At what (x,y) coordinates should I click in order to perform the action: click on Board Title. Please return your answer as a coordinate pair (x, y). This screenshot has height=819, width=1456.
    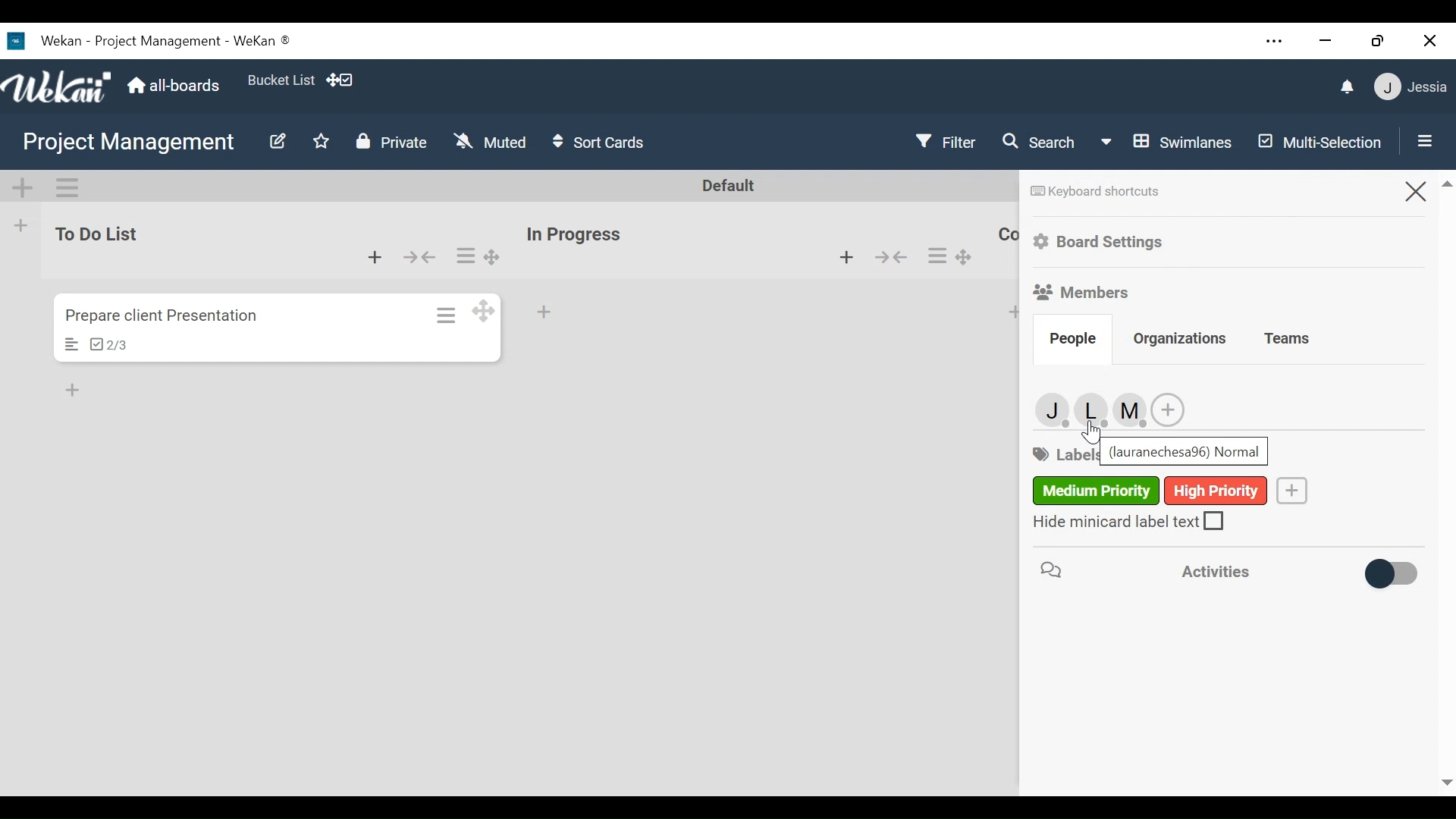
    Looking at the image, I should click on (128, 142).